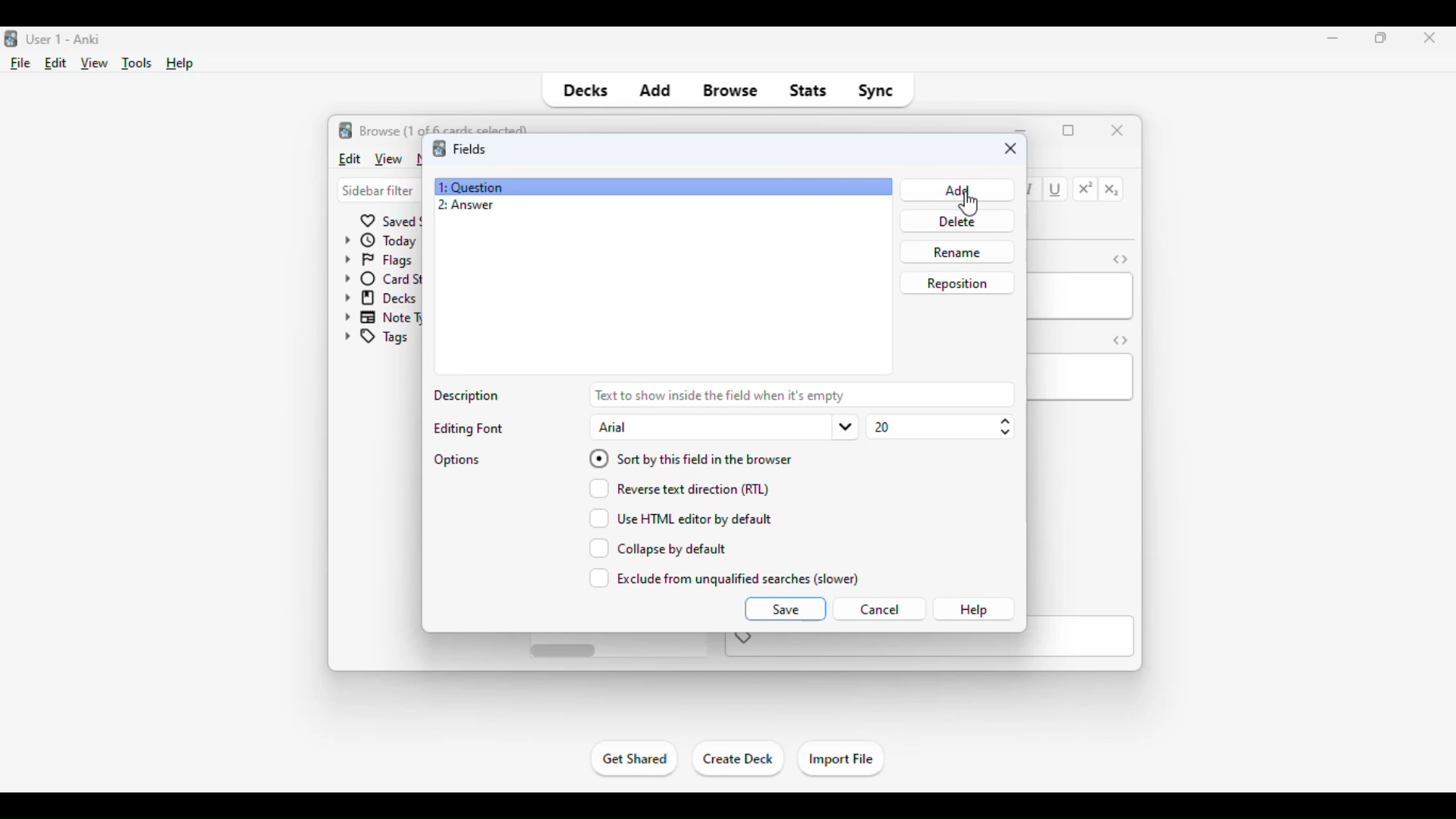 The height and width of the screenshot is (819, 1456). I want to click on collapse by default, so click(658, 548).